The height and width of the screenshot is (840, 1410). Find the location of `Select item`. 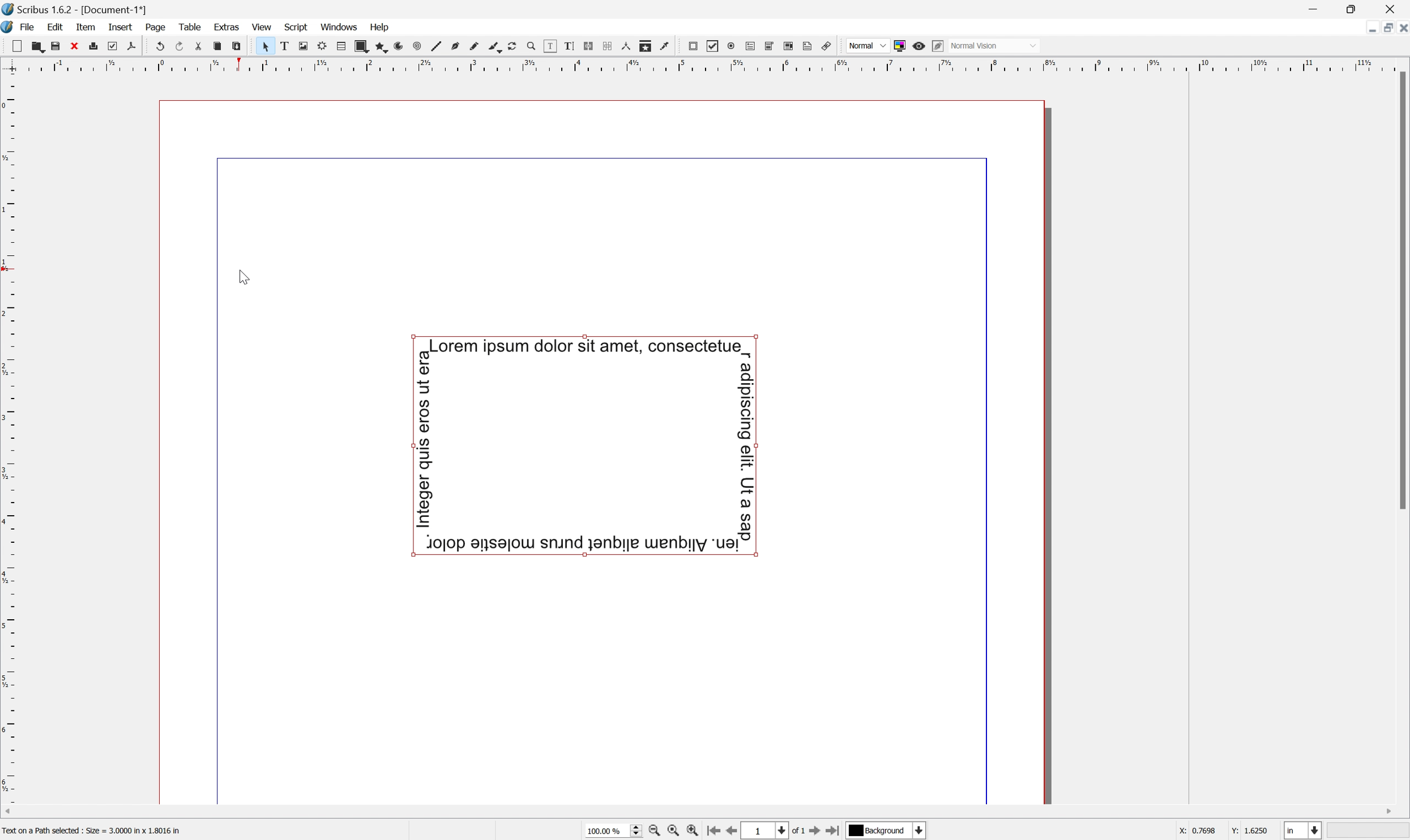

Select item is located at coordinates (262, 46).